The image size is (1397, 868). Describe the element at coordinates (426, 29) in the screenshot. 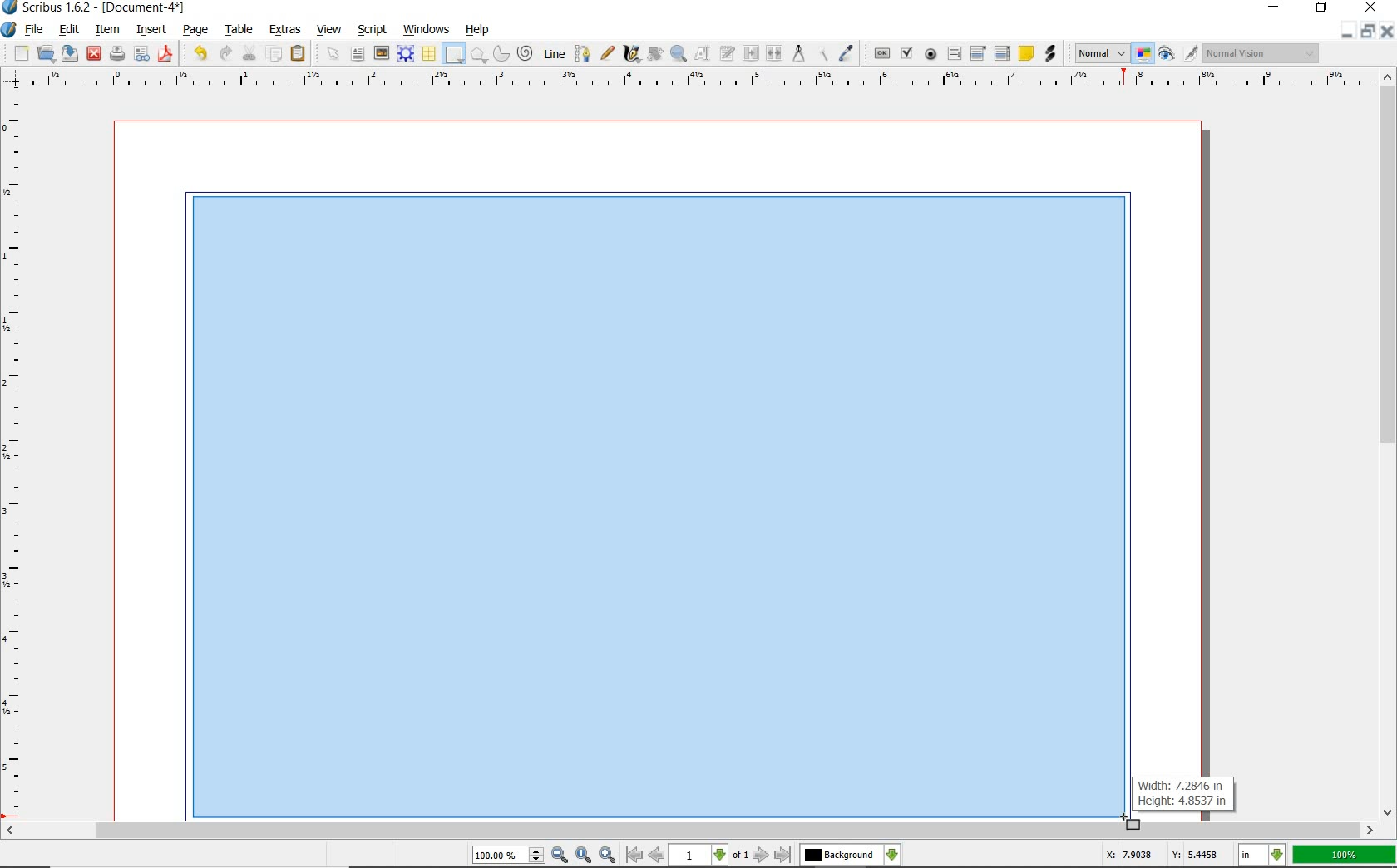

I see `windows` at that location.